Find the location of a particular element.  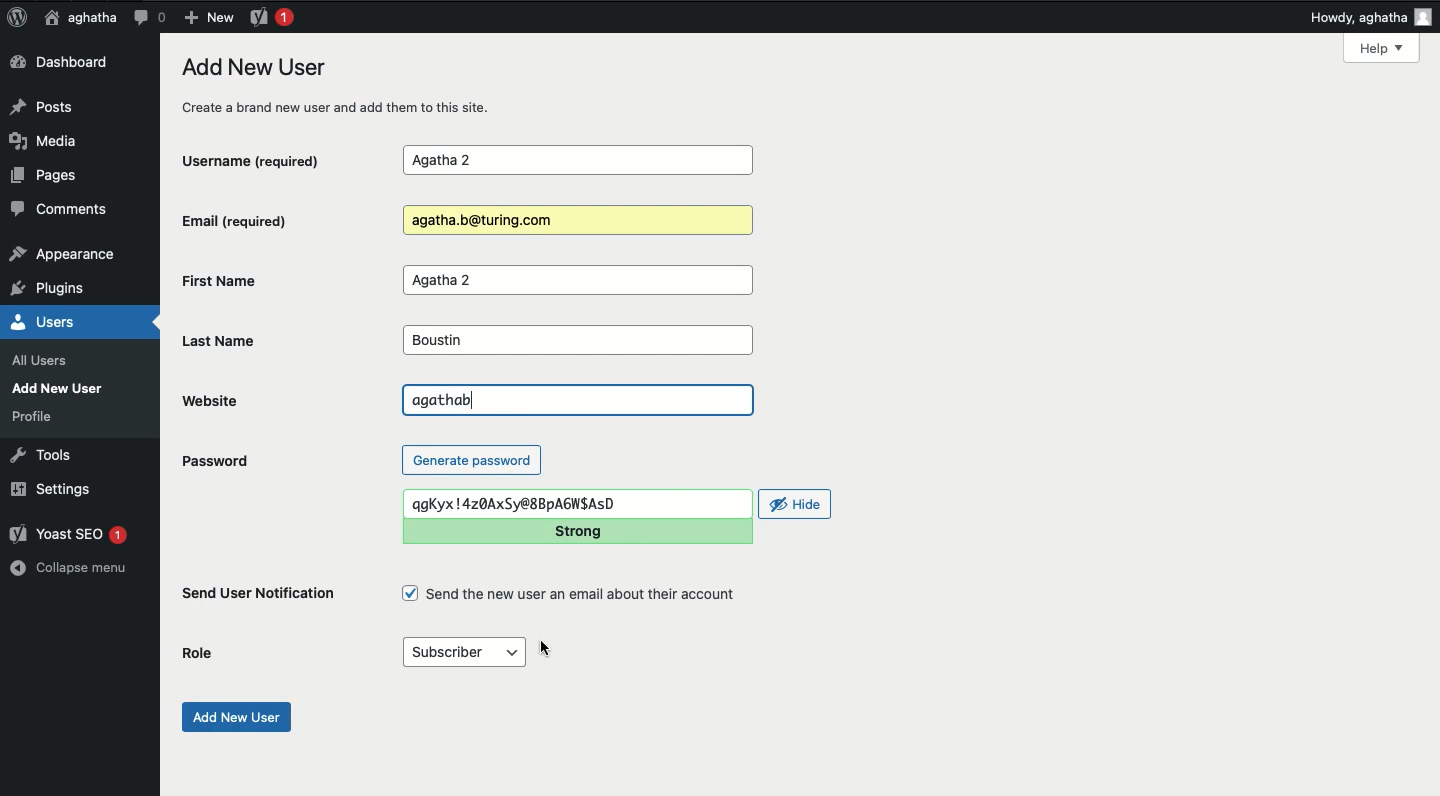

Send user notification  is located at coordinates (260, 597).